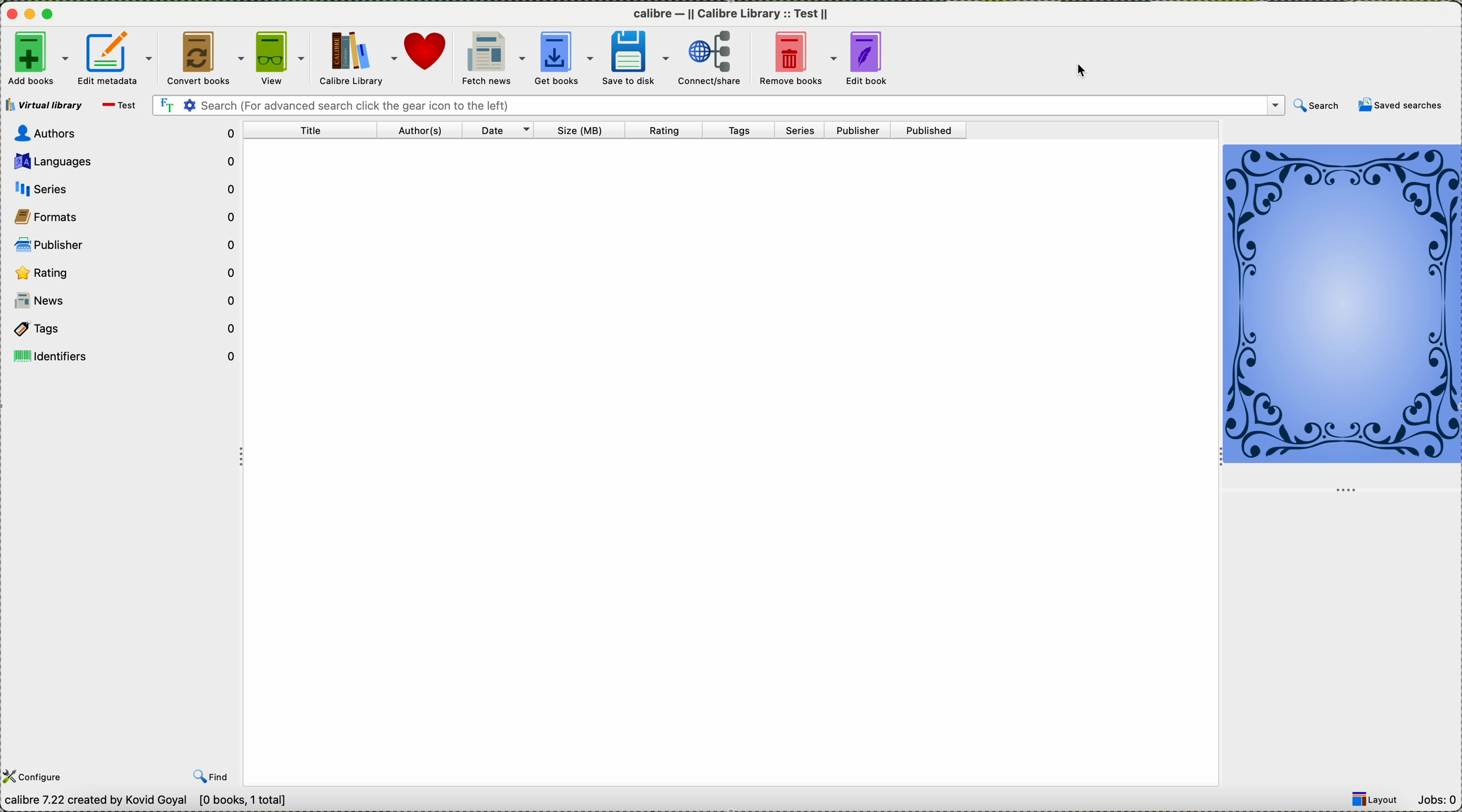  What do you see at coordinates (430, 58) in the screenshot?
I see `donate` at bounding box center [430, 58].